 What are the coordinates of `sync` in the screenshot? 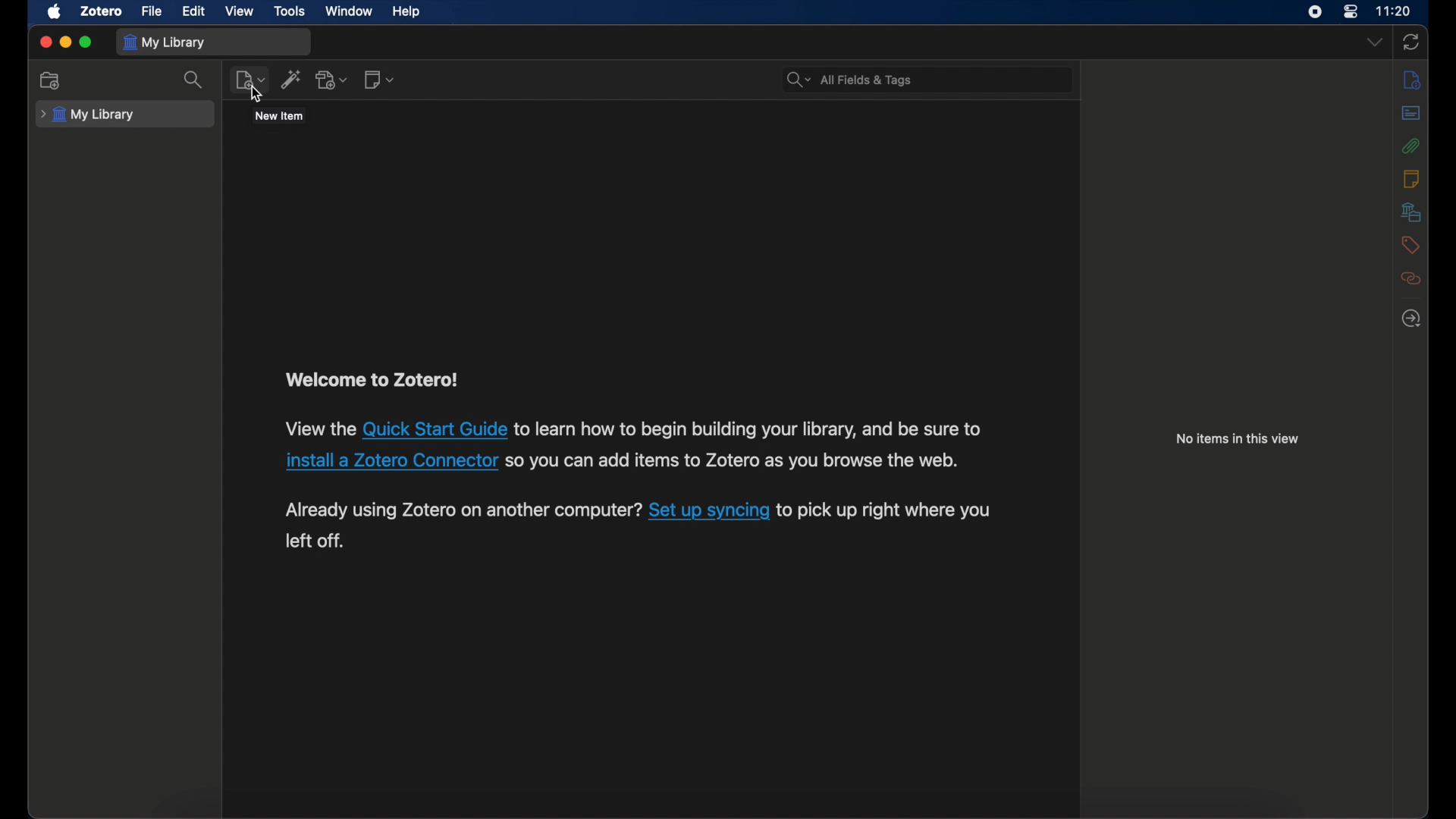 It's located at (1411, 42).